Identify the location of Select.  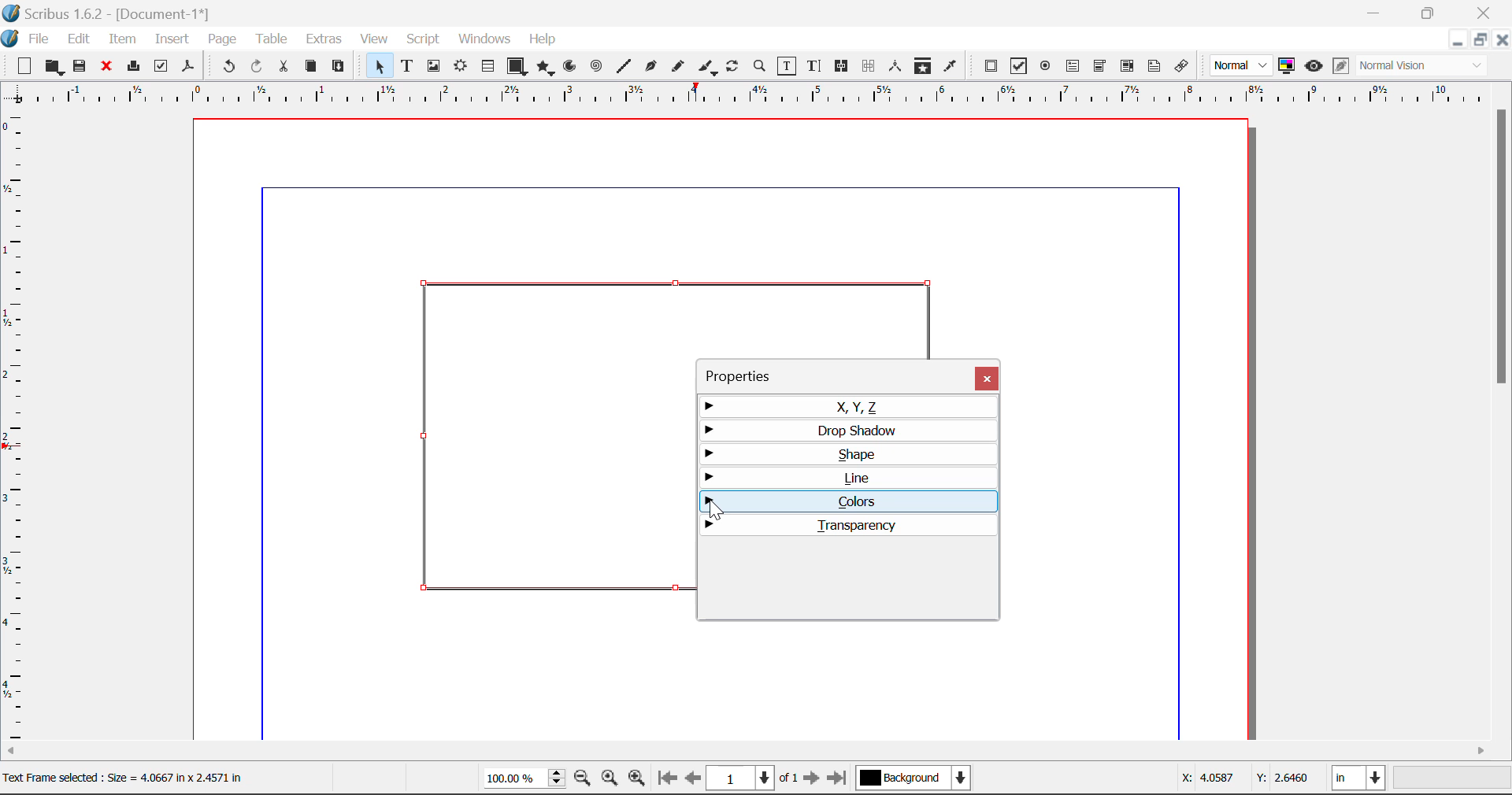
(376, 65).